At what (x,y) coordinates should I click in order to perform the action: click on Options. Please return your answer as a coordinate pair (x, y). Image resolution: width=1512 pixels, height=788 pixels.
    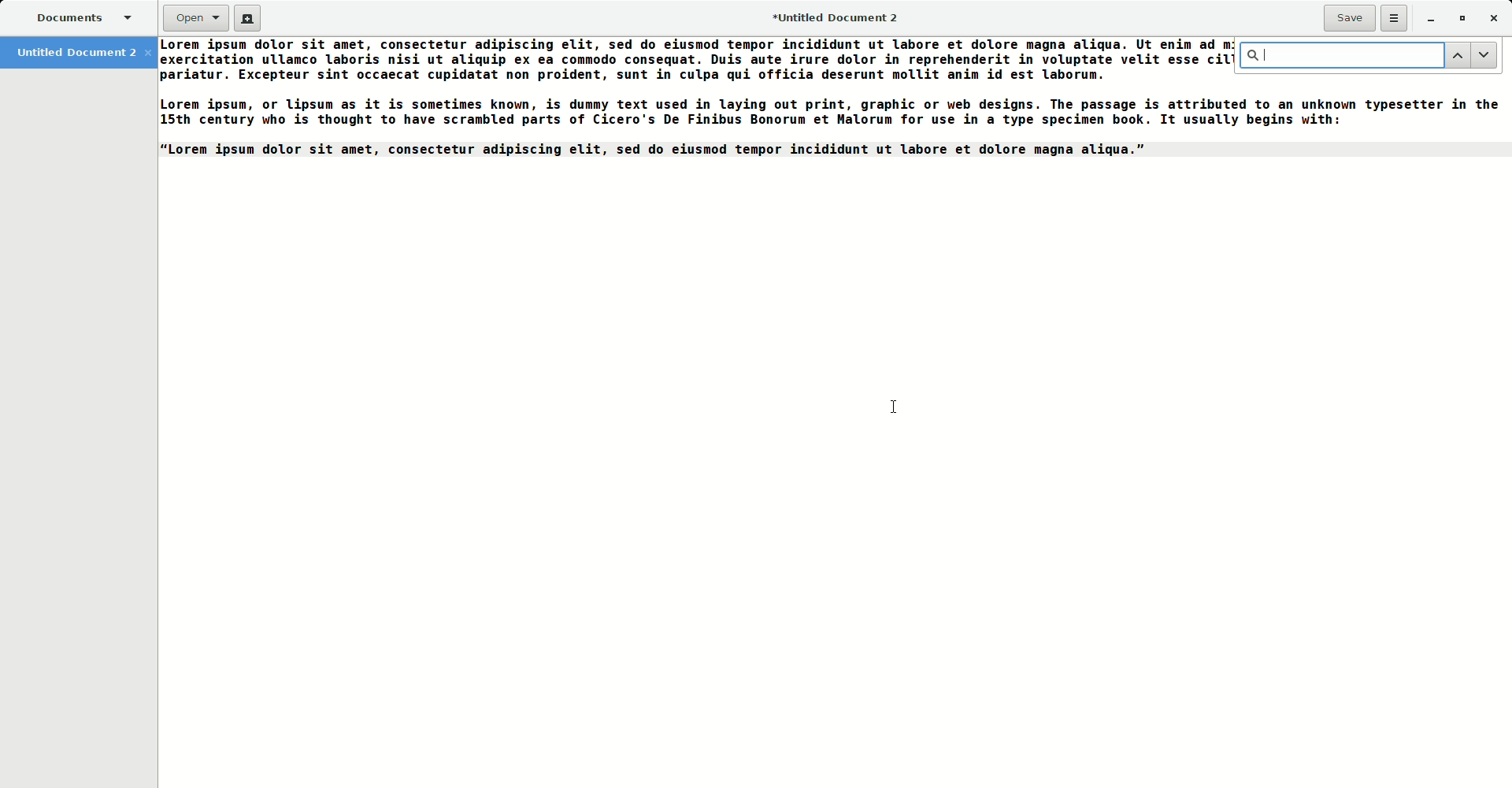
    Looking at the image, I should click on (1391, 18).